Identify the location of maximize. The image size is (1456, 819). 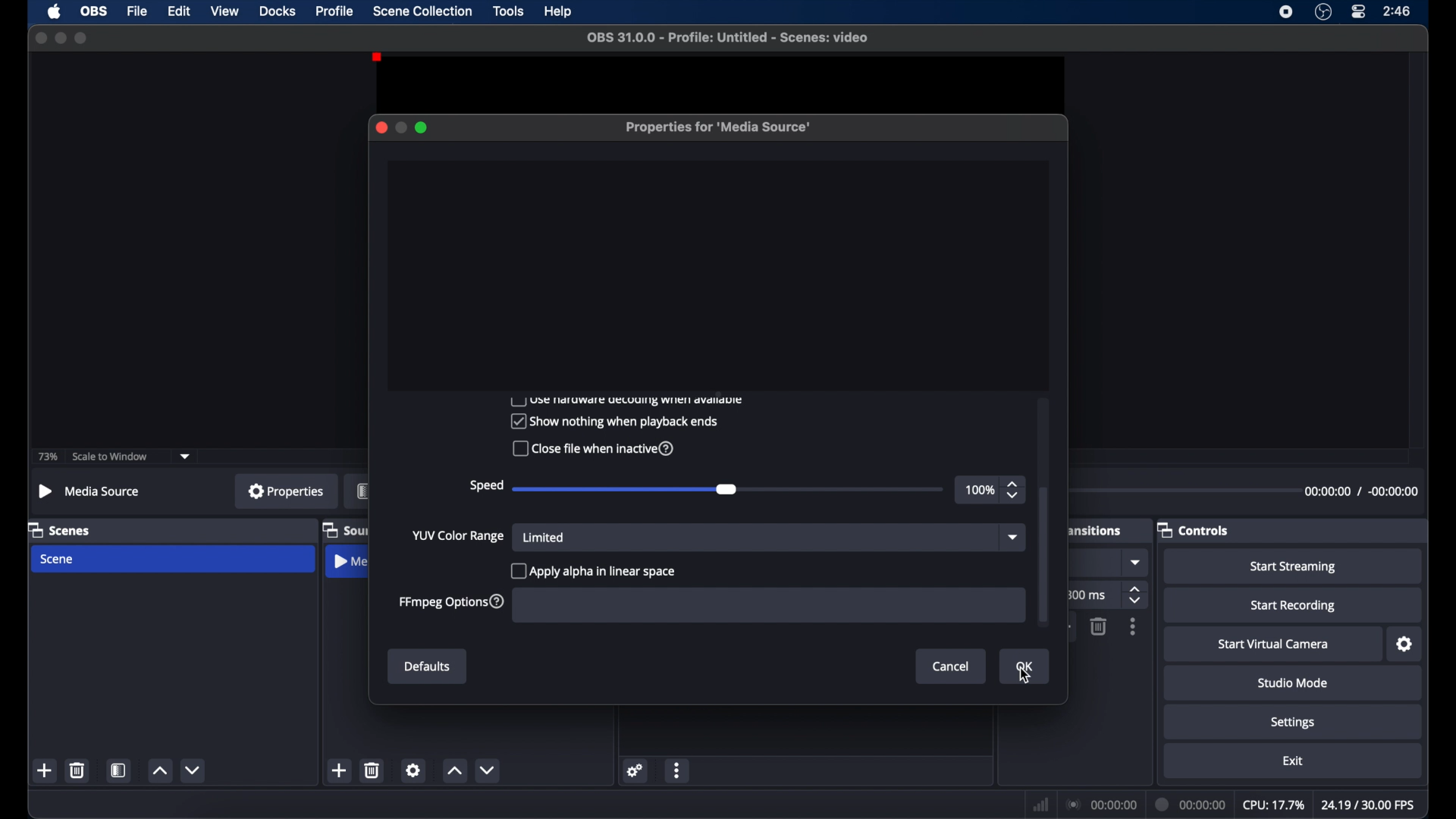
(82, 39).